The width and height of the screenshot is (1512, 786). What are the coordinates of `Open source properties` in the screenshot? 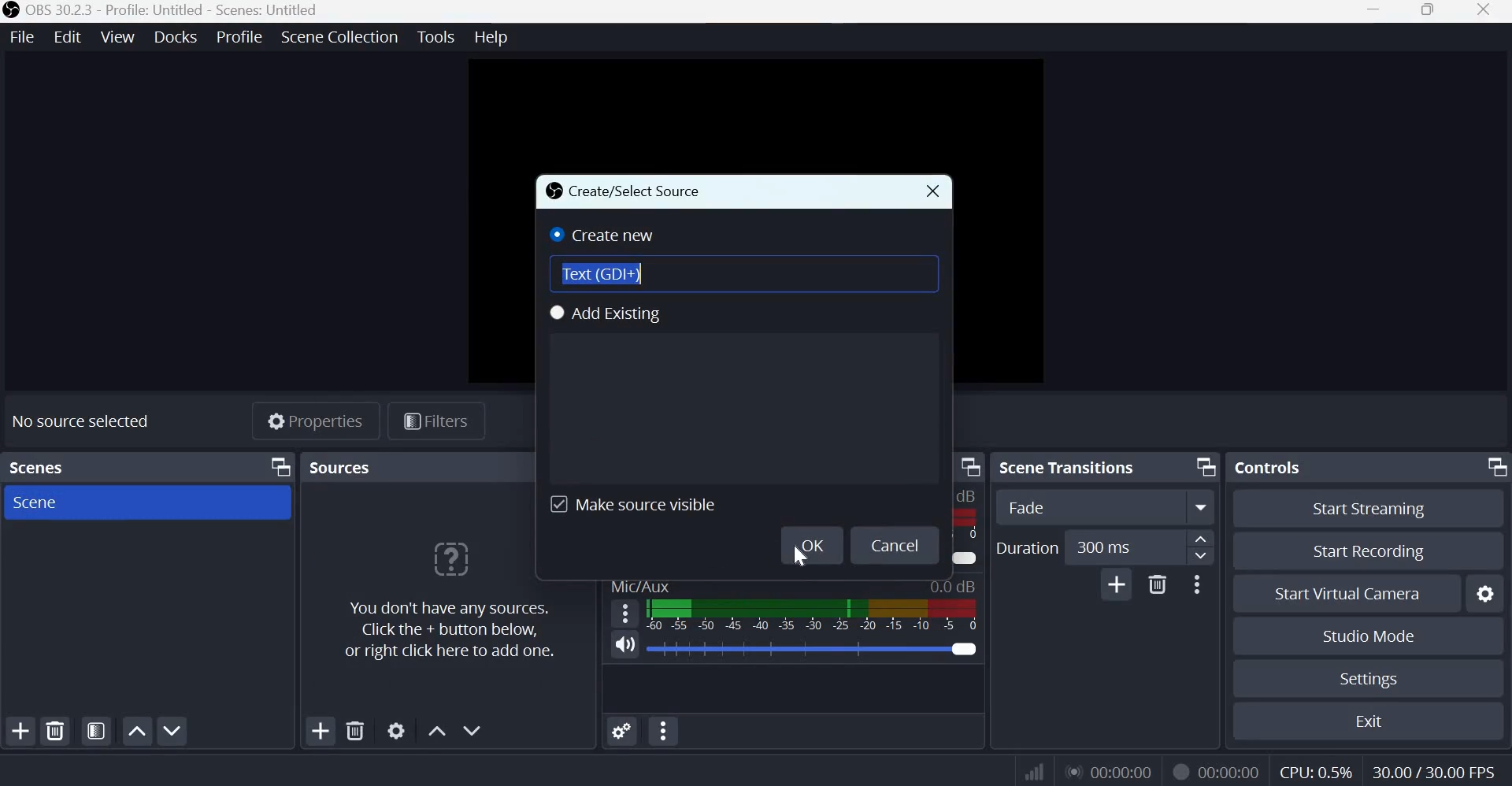 It's located at (396, 730).